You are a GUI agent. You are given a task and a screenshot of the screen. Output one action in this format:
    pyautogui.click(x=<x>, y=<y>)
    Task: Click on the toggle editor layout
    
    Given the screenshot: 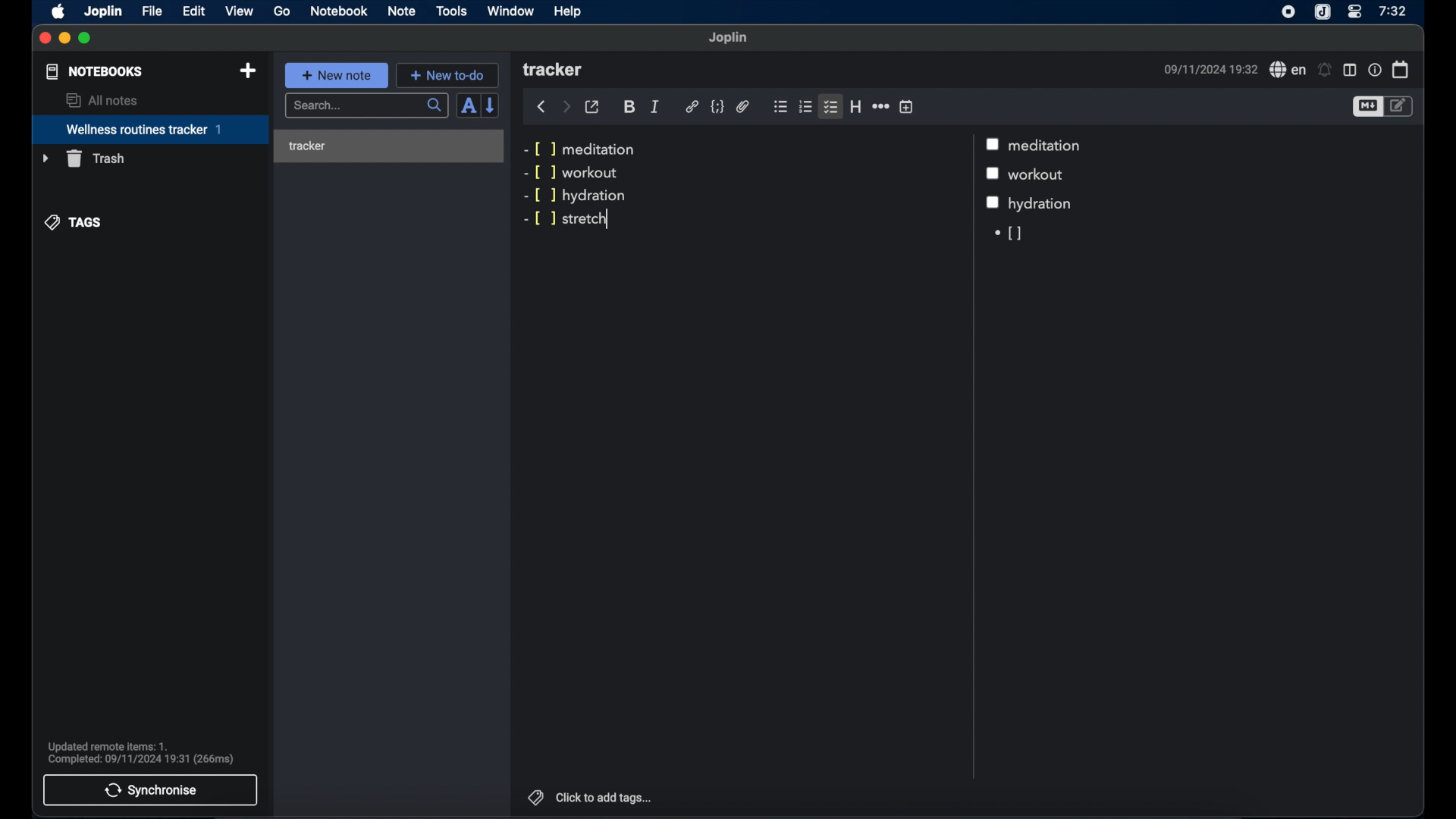 What is the action you would take?
    pyautogui.click(x=1349, y=70)
    